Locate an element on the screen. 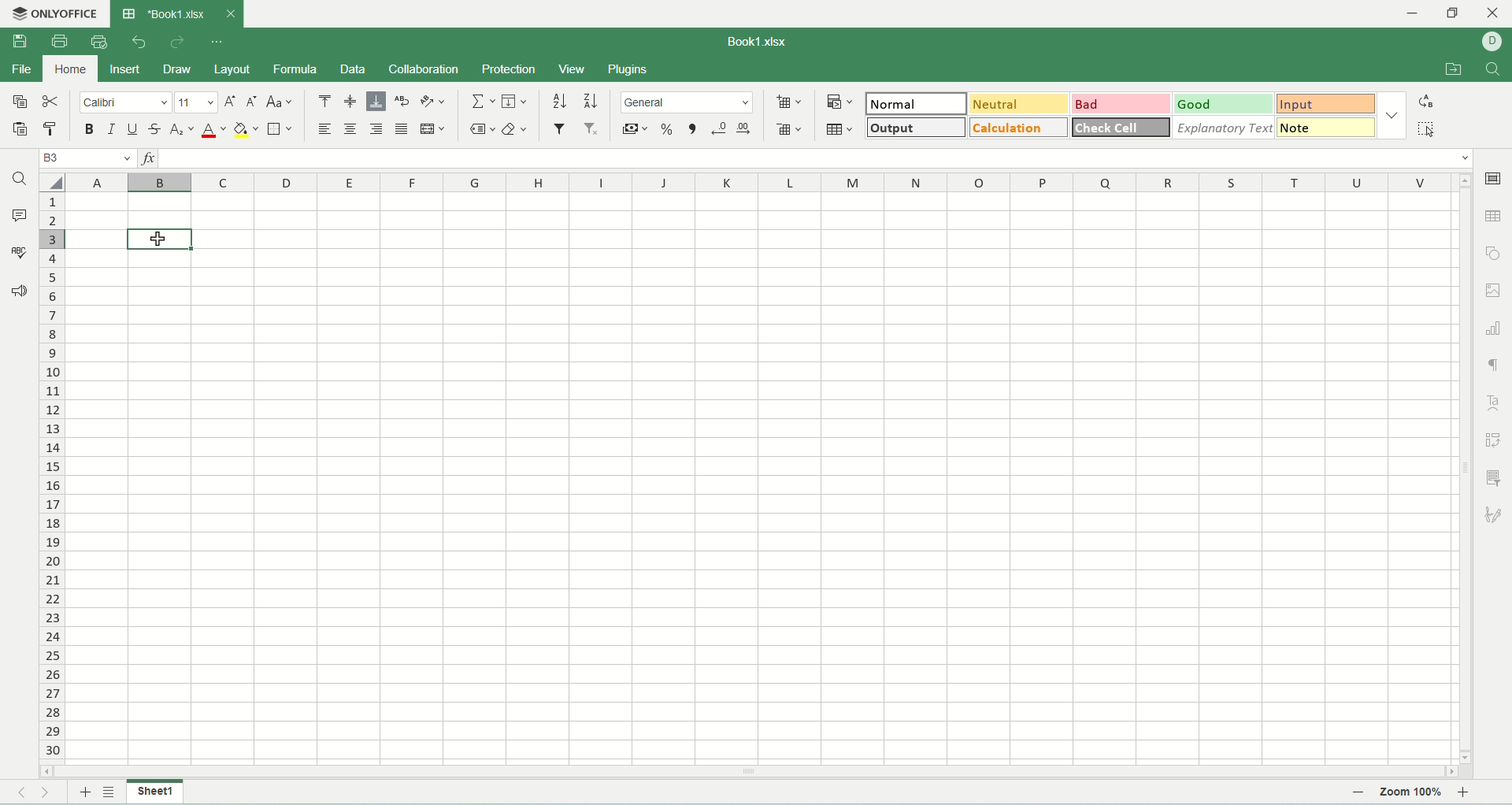  home is located at coordinates (68, 68).